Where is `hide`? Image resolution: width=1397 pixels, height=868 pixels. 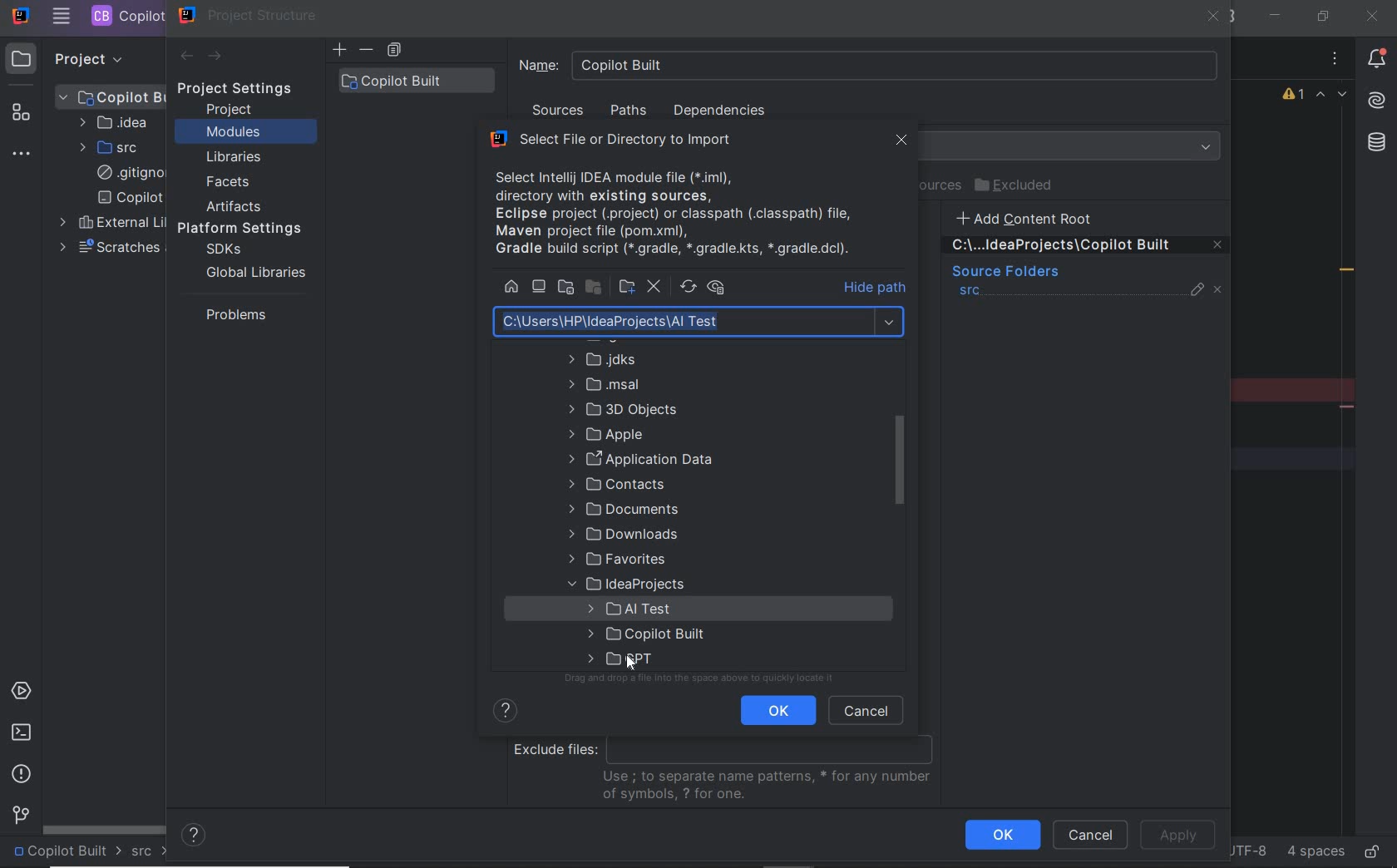 hide is located at coordinates (877, 287).